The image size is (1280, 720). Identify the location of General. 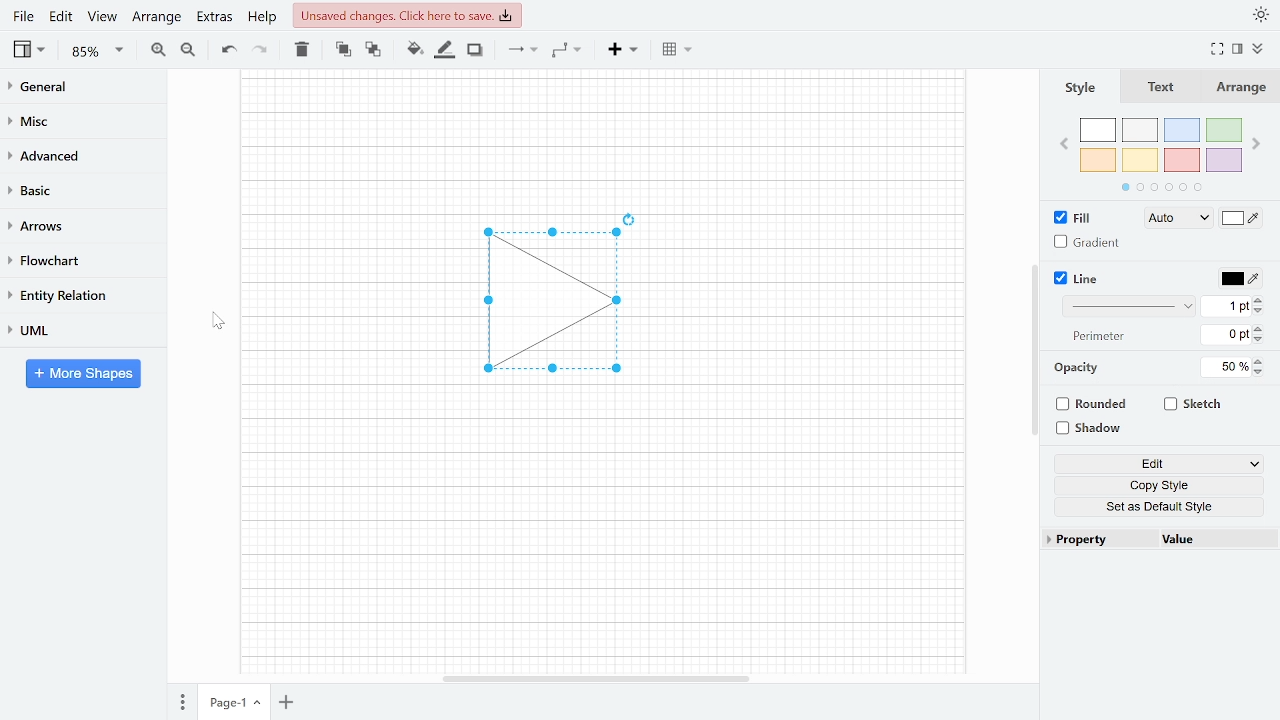
(76, 89).